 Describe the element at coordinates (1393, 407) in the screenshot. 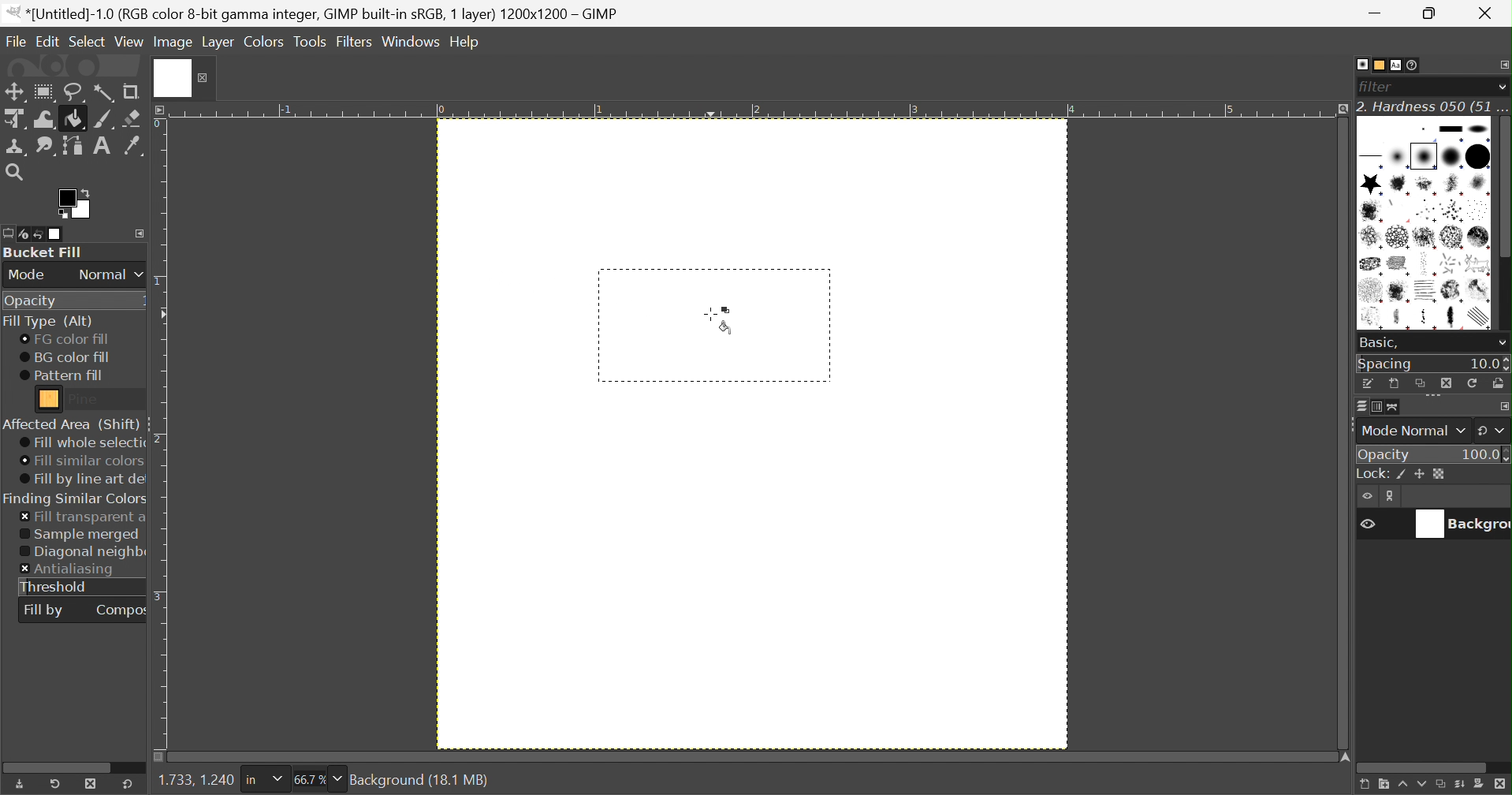

I see `Paths` at that location.